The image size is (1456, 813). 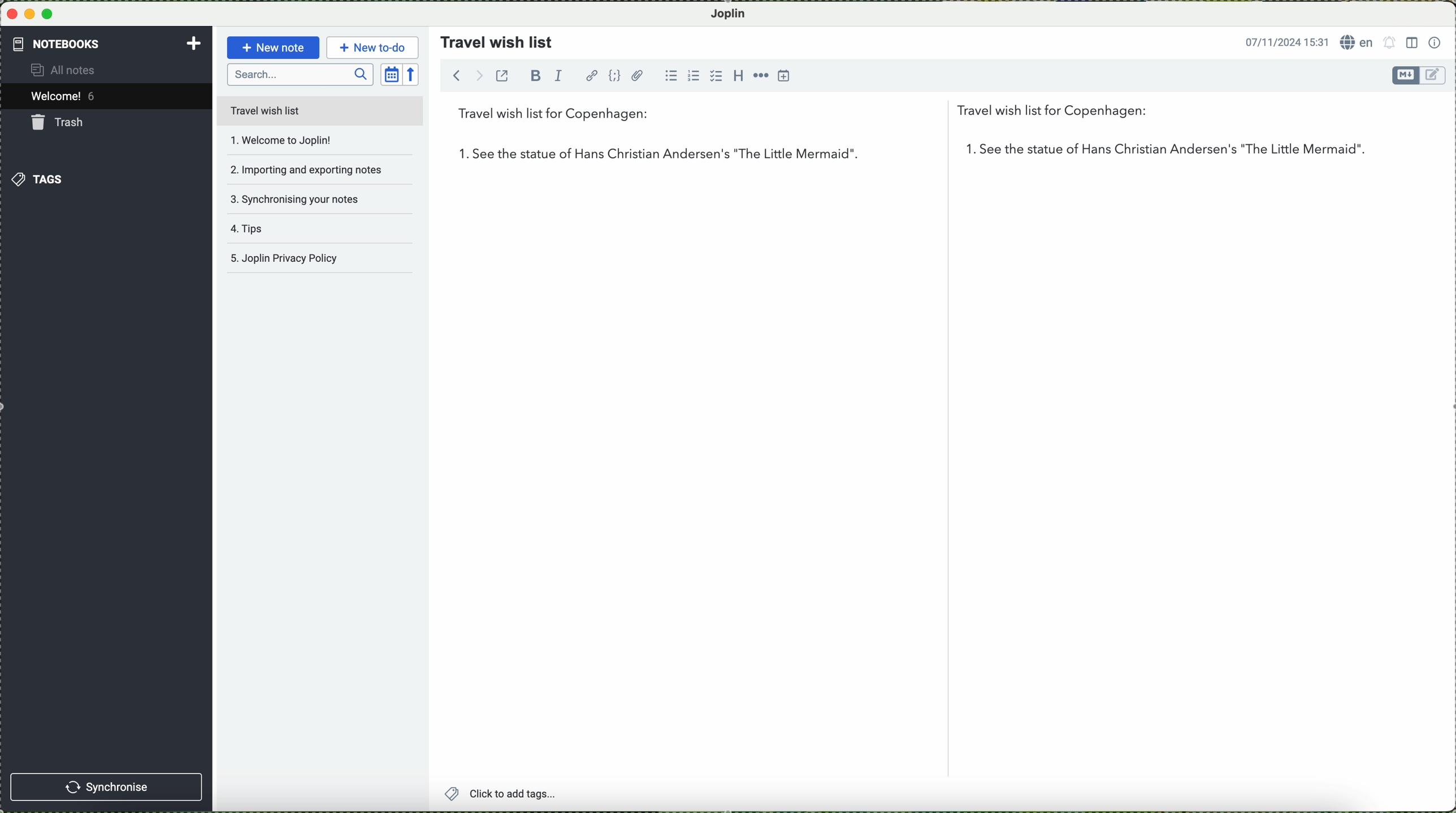 What do you see at coordinates (616, 76) in the screenshot?
I see `code` at bounding box center [616, 76].